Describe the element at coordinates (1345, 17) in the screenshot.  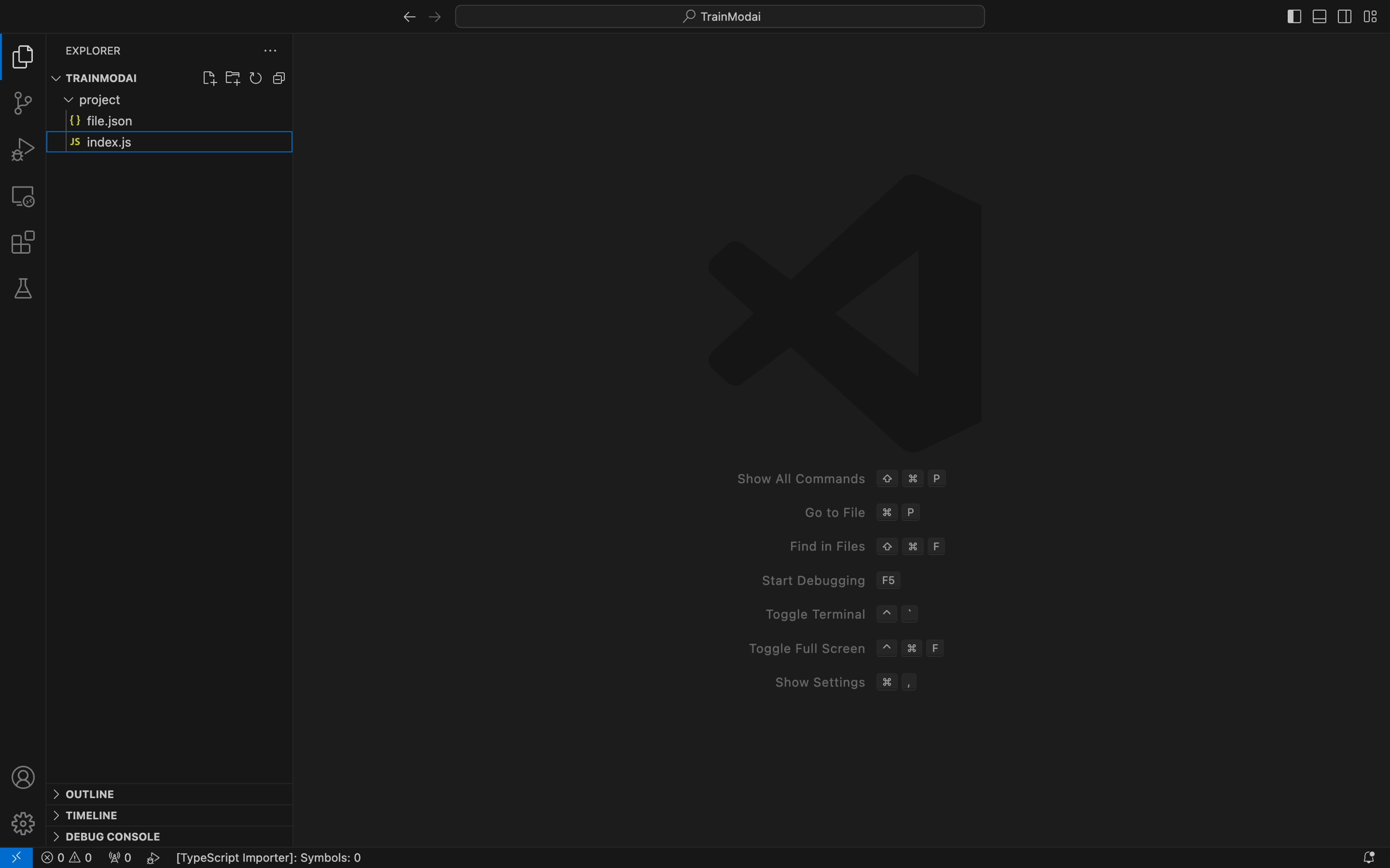
I see `sidebar right` at that location.